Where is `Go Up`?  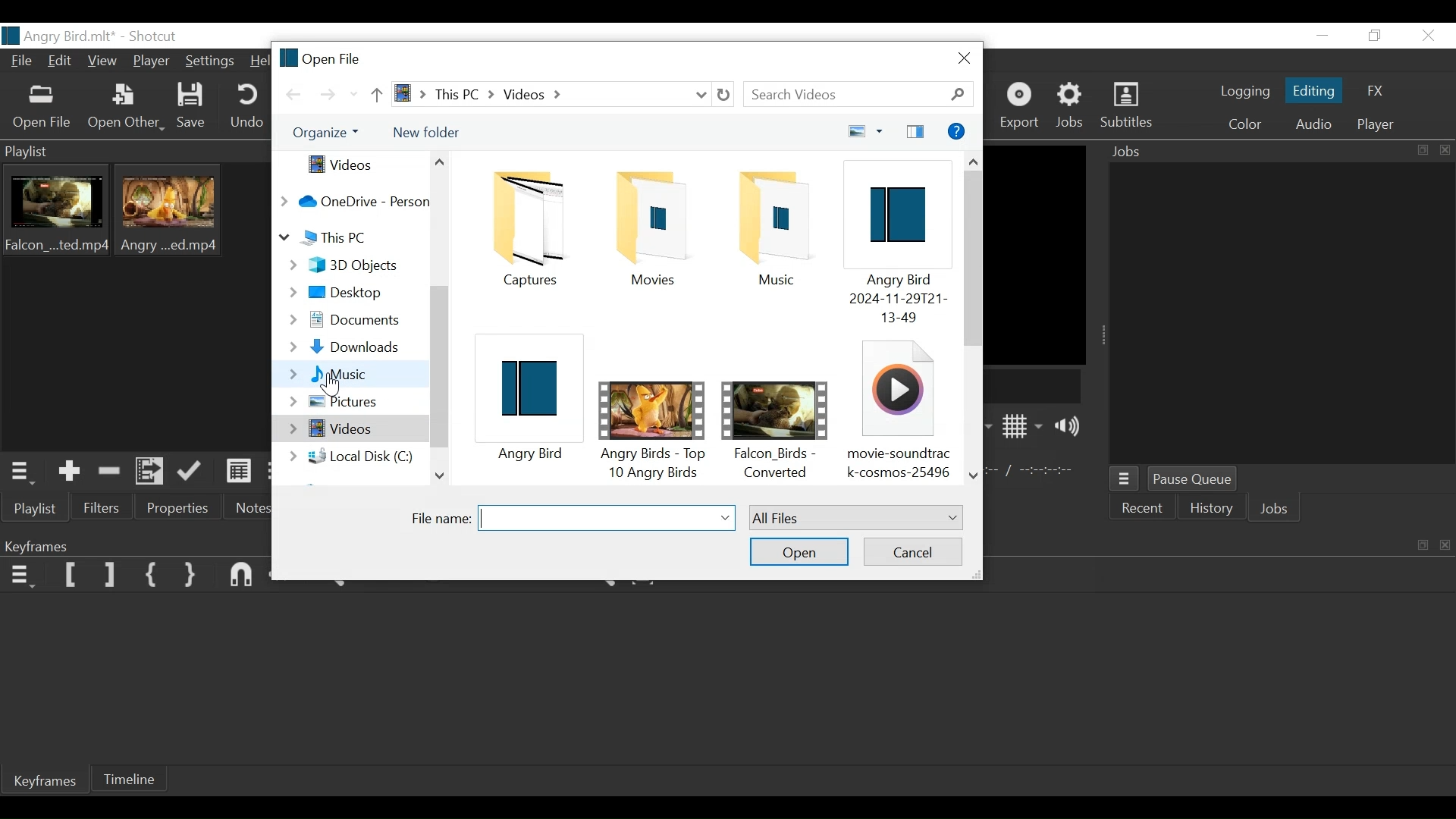
Go Up is located at coordinates (375, 96).